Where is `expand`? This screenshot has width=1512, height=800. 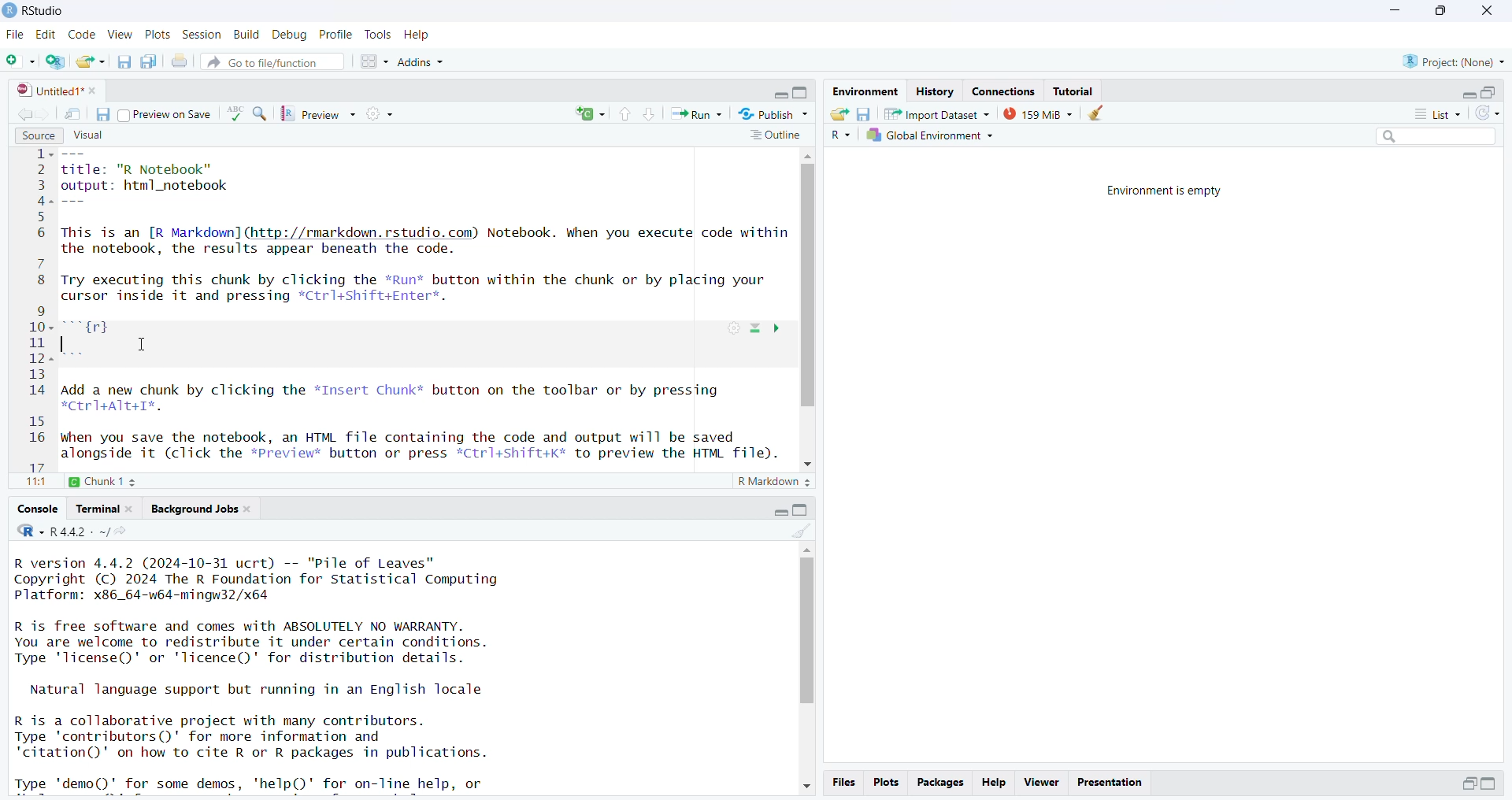 expand is located at coordinates (1469, 94).